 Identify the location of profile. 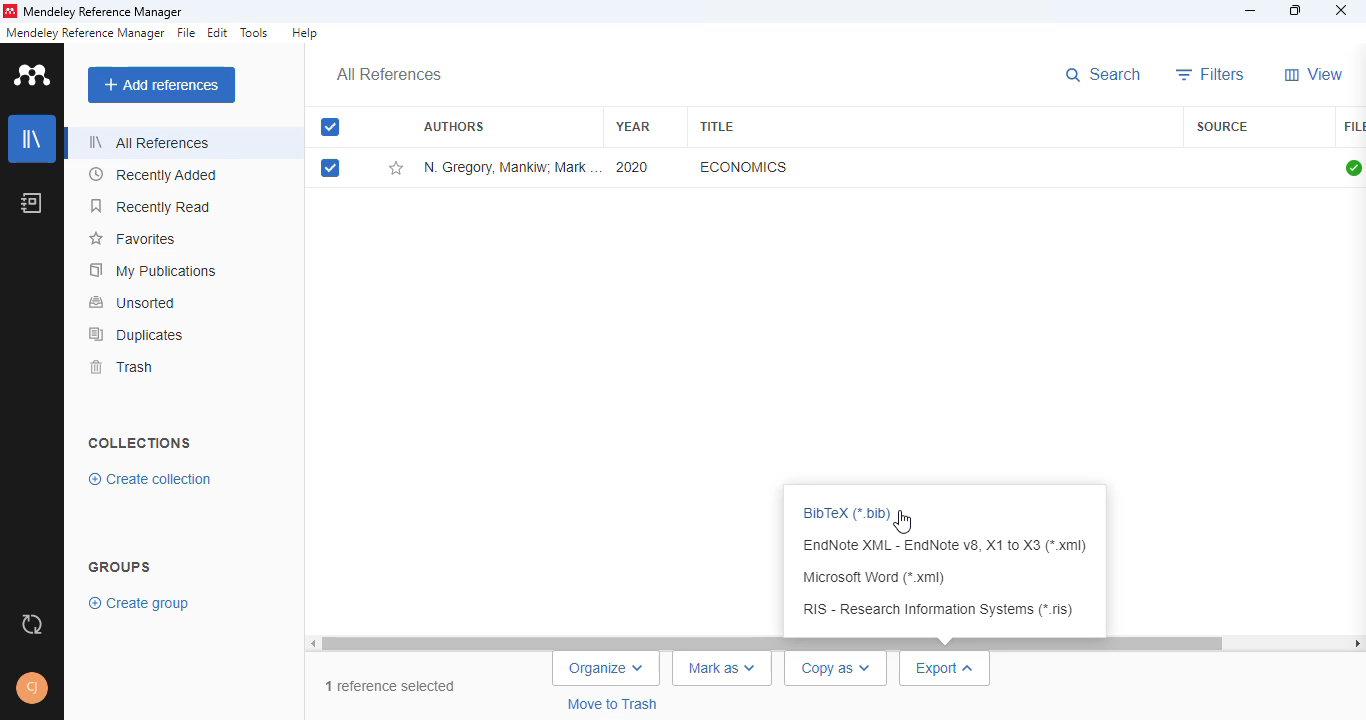
(32, 688).